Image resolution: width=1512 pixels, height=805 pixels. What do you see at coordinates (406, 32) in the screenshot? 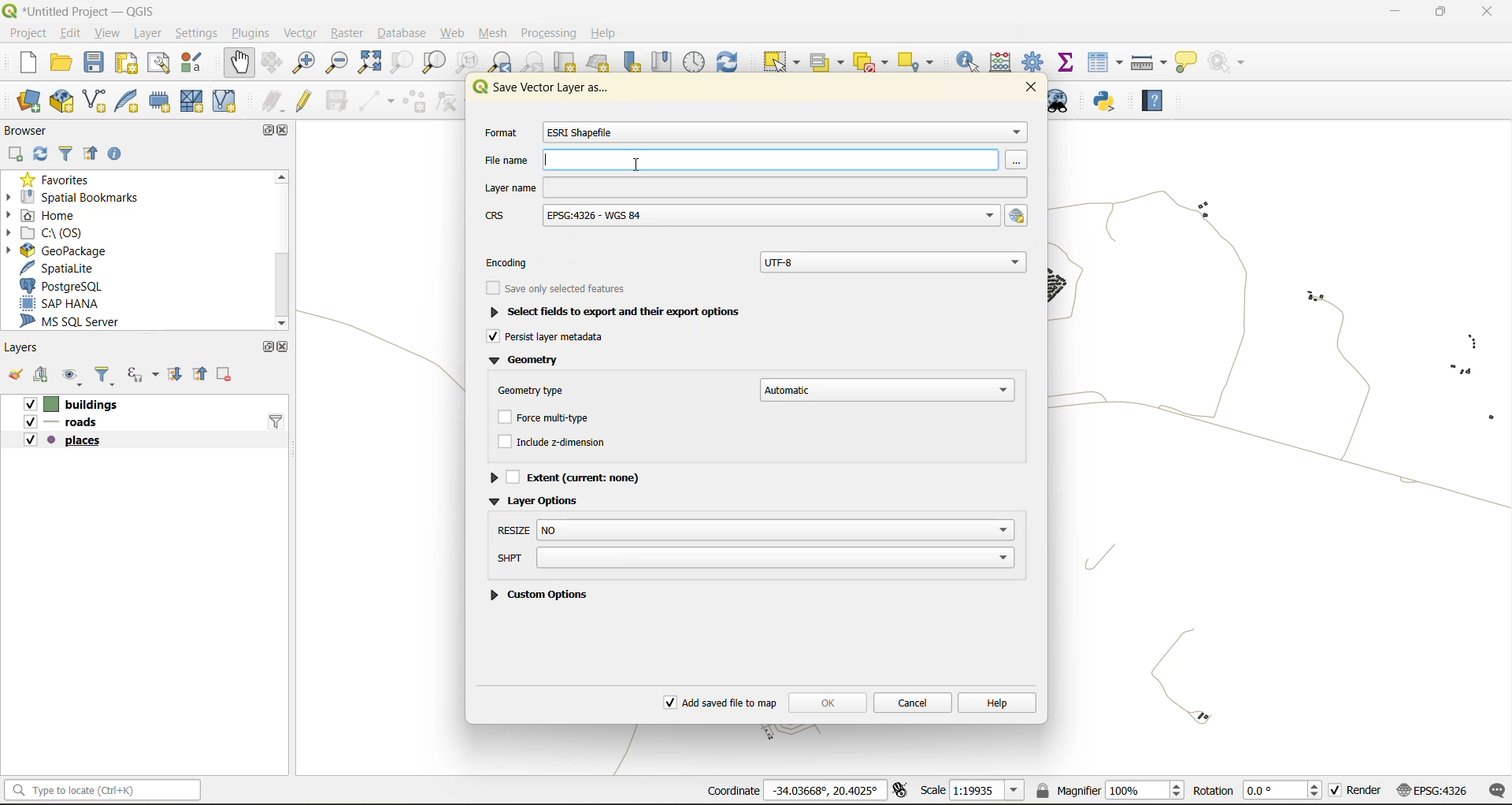
I see `database` at bounding box center [406, 32].